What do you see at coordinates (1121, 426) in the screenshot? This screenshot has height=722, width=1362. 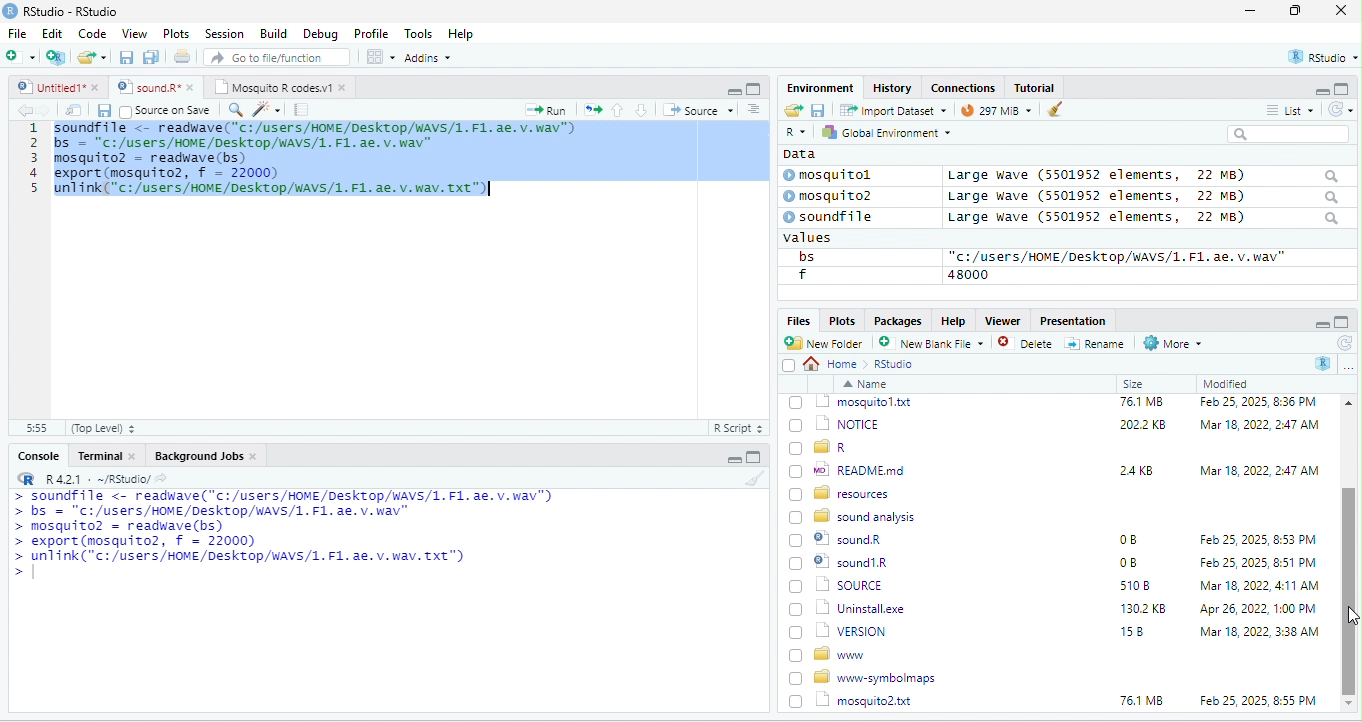 I see `0B` at bounding box center [1121, 426].